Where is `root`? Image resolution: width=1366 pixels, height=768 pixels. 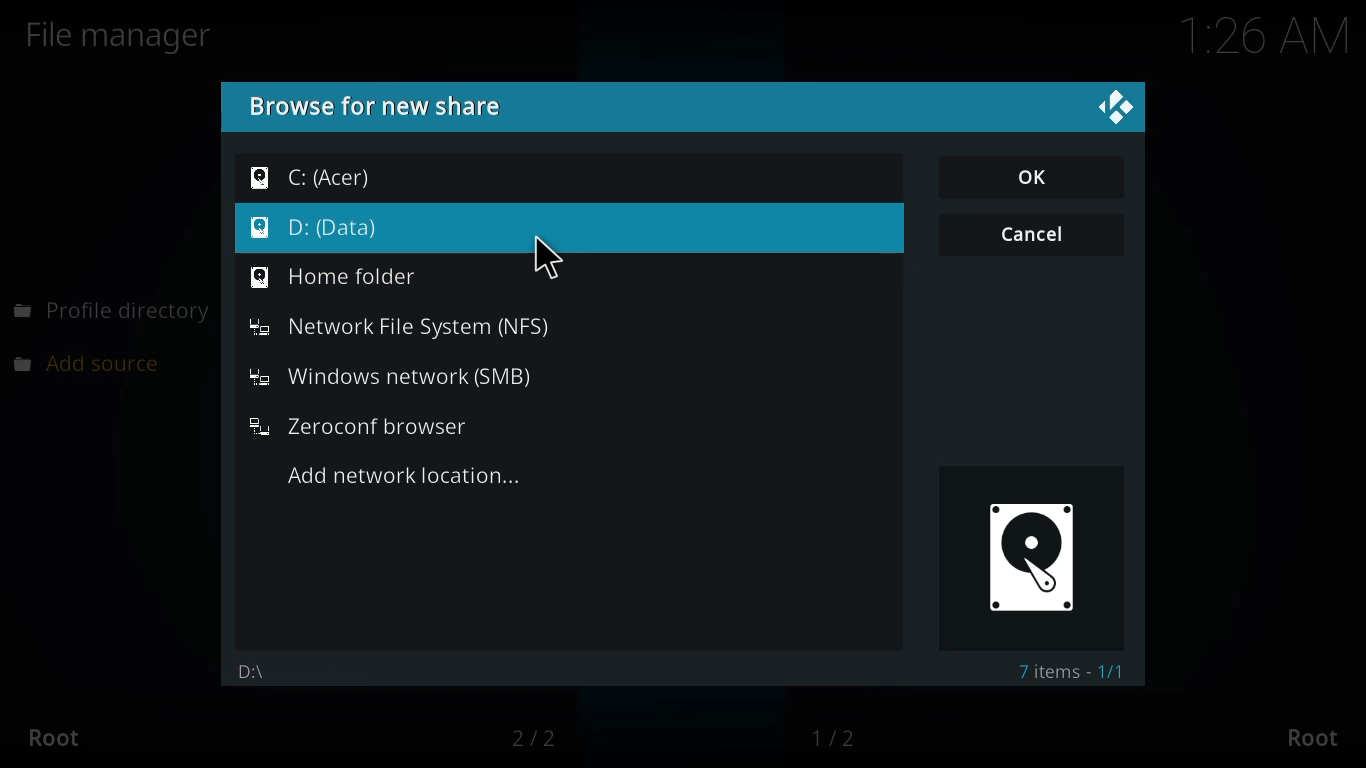
root is located at coordinates (63, 738).